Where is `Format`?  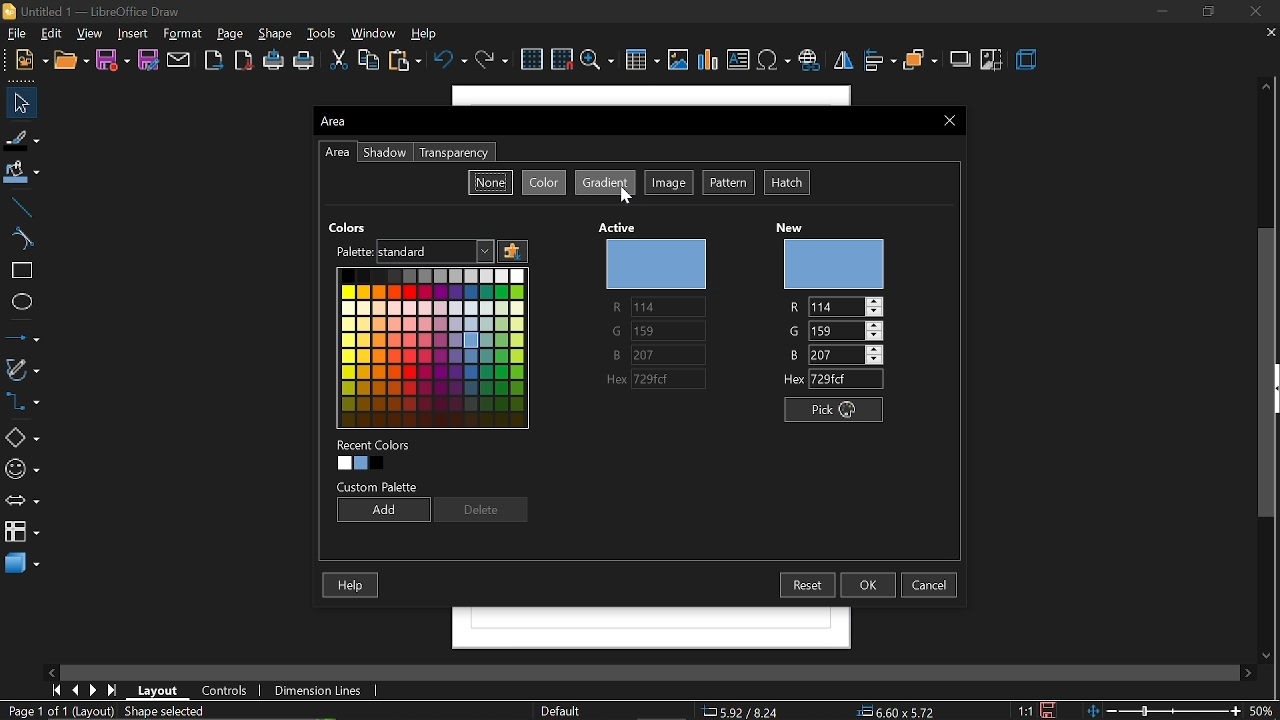 Format is located at coordinates (185, 34).